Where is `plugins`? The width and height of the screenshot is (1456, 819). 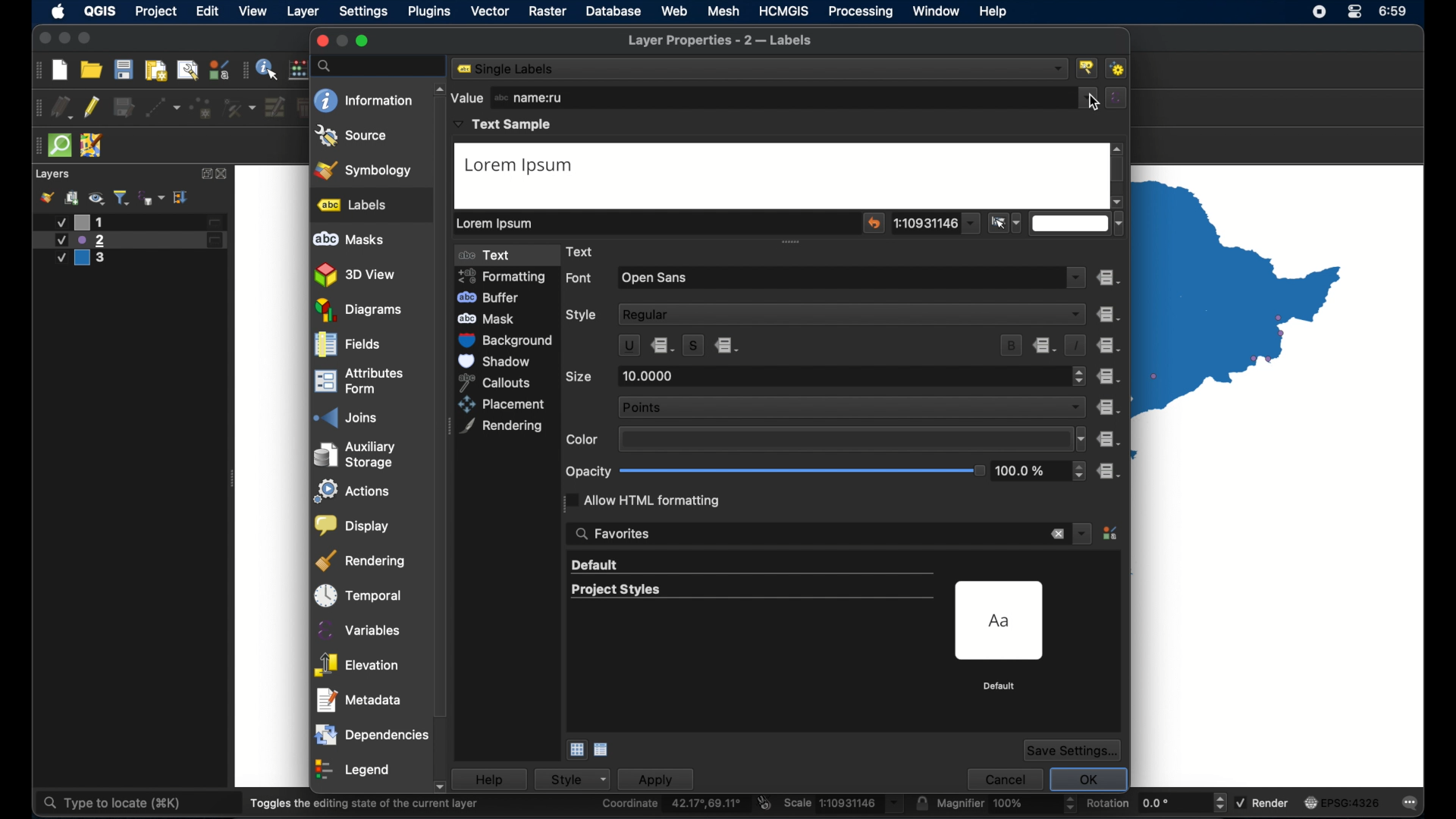
plugins is located at coordinates (430, 11).